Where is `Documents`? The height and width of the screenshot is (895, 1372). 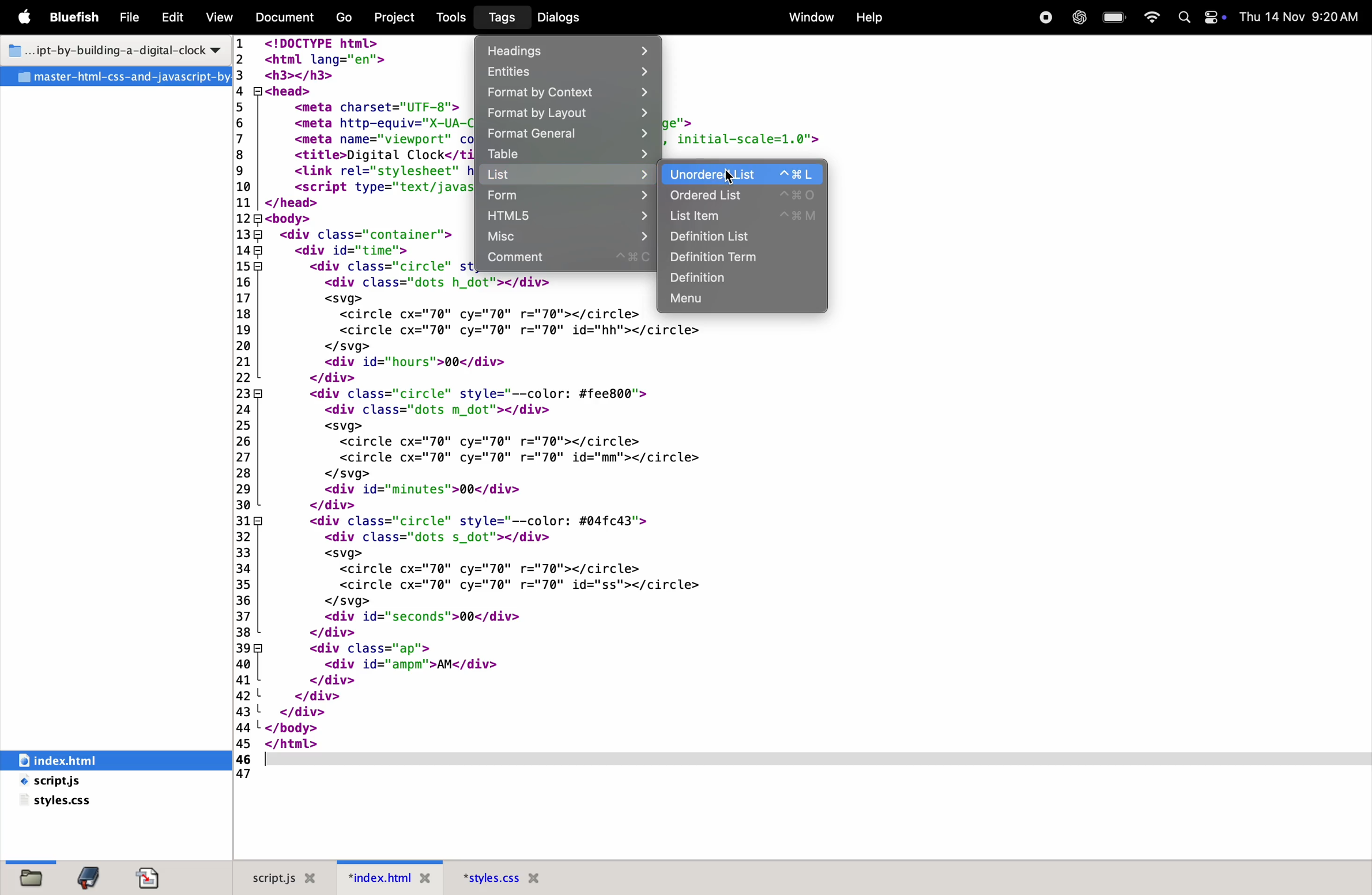 Documents is located at coordinates (287, 18).